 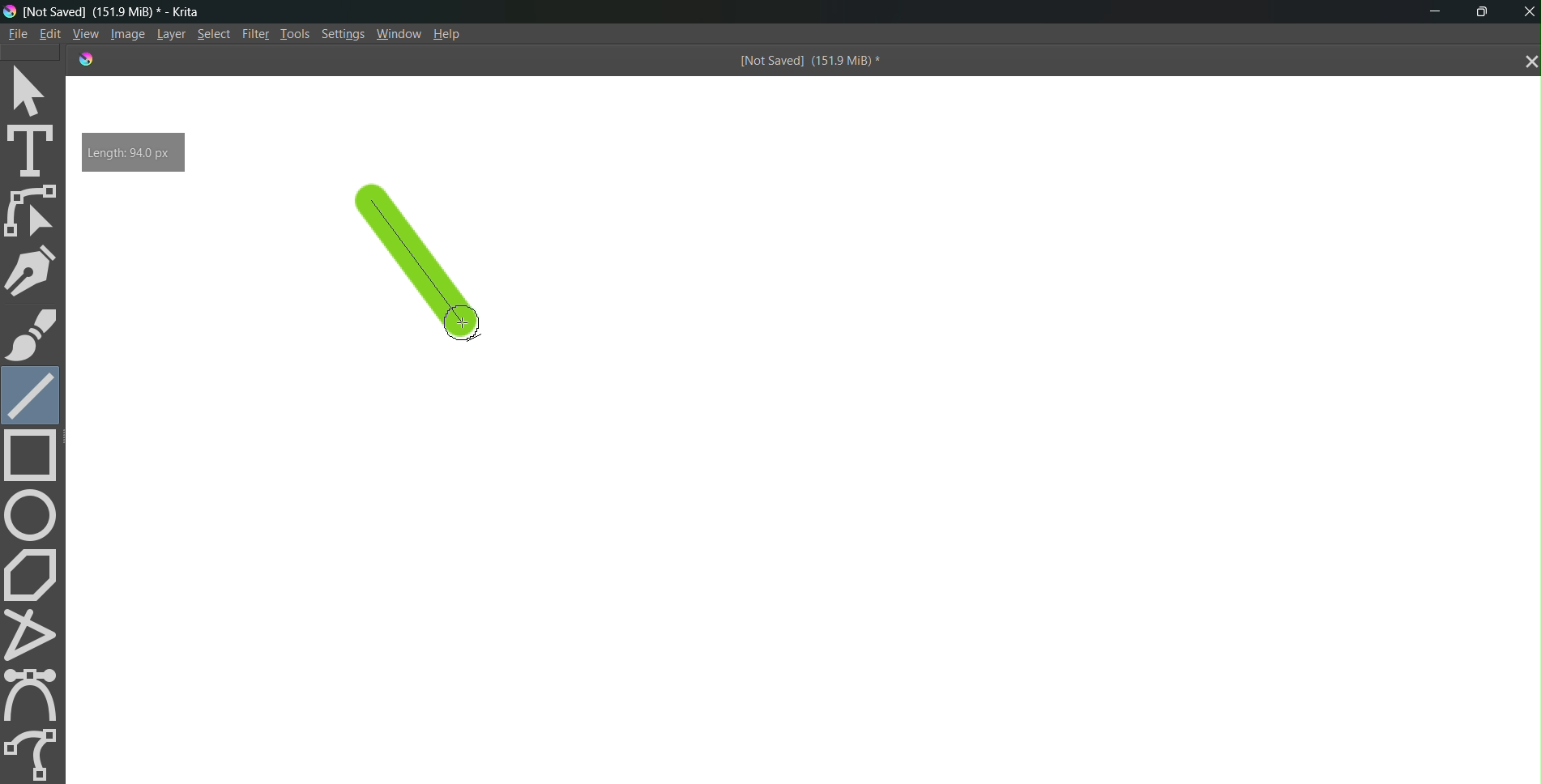 I want to click on maximize, so click(x=1487, y=10).